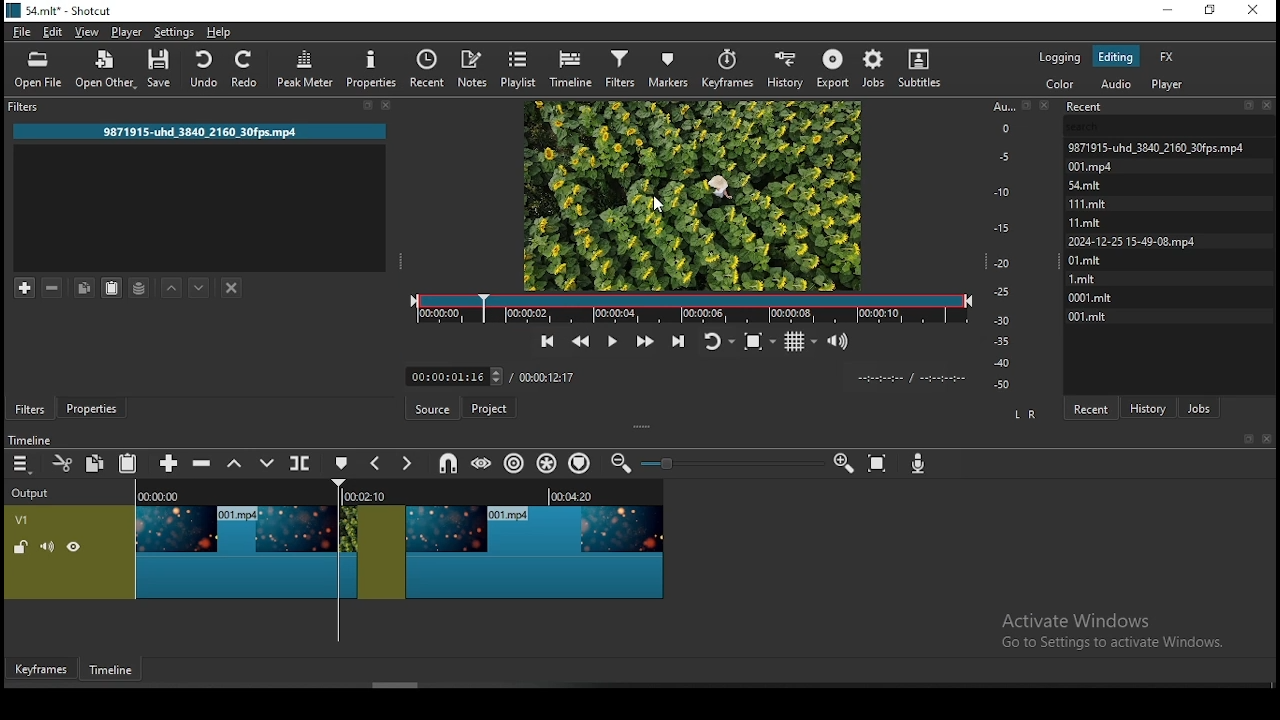 The height and width of the screenshot is (720, 1280). What do you see at coordinates (22, 33) in the screenshot?
I see `file` at bounding box center [22, 33].